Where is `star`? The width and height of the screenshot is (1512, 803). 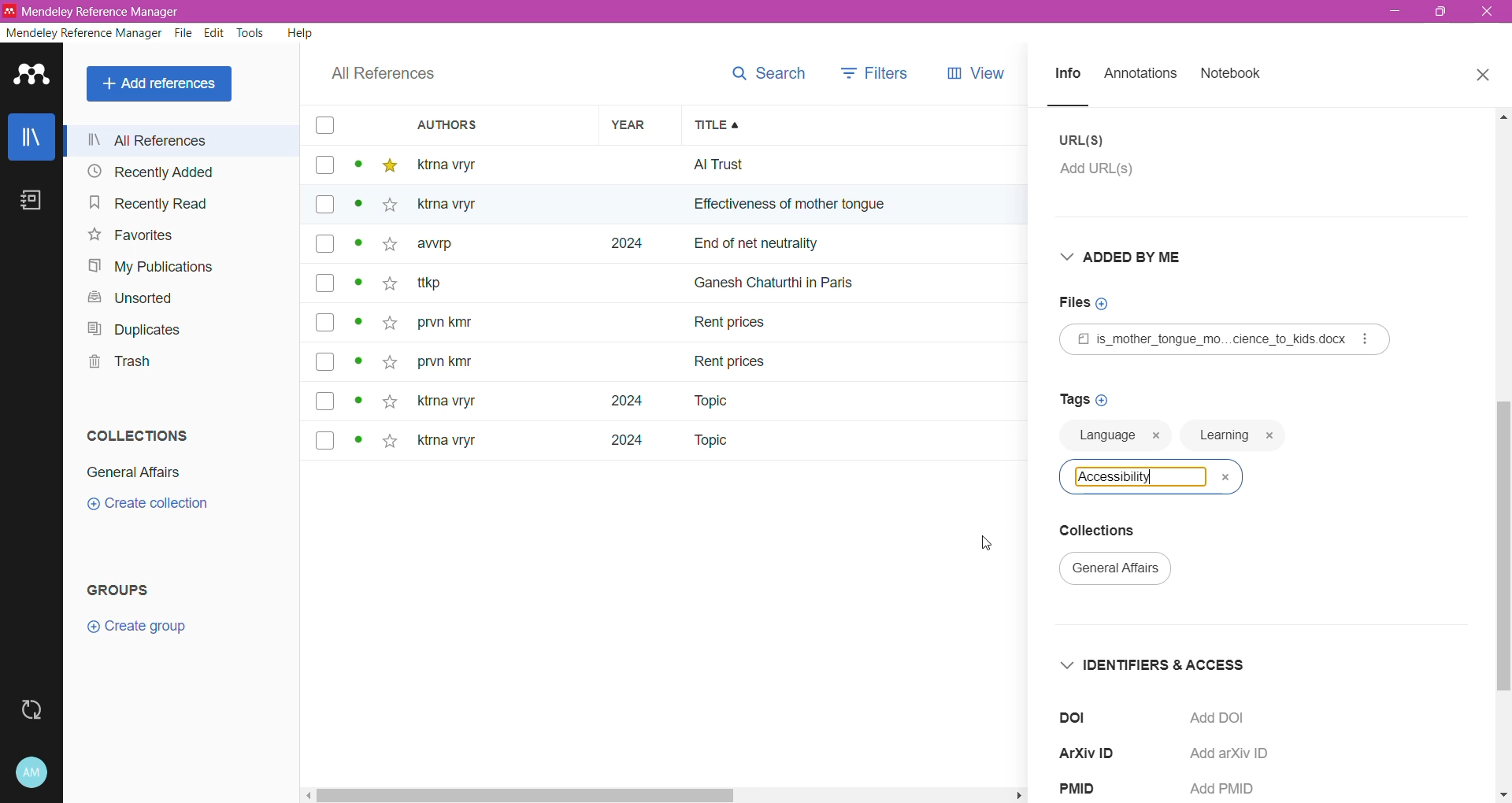 star is located at coordinates (388, 358).